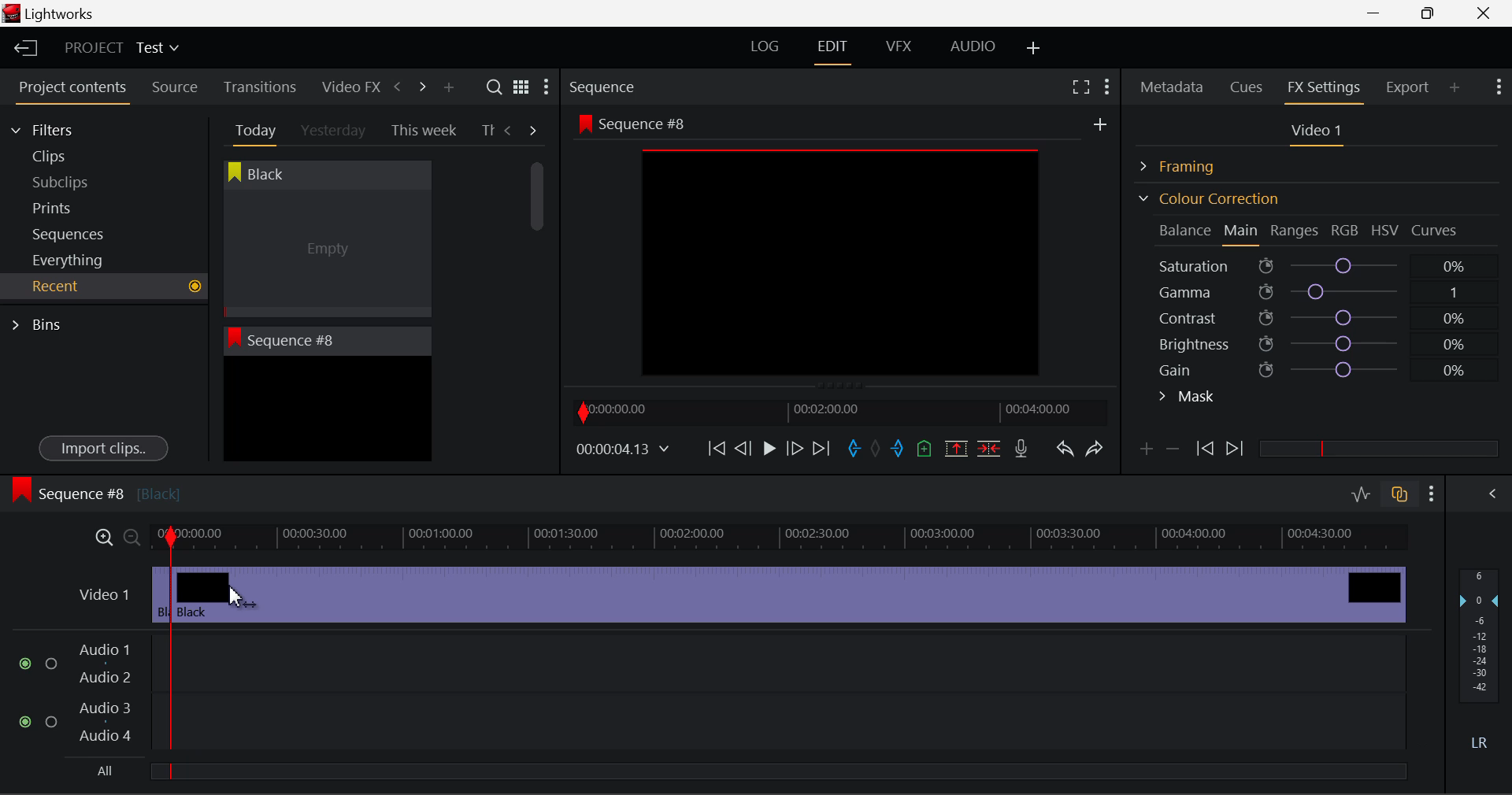 This screenshot has height=795, width=1512. What do you see at coordinates (1432, 13) in the screenshot?
I see `Minimize` at bounding box center [1432, 13].